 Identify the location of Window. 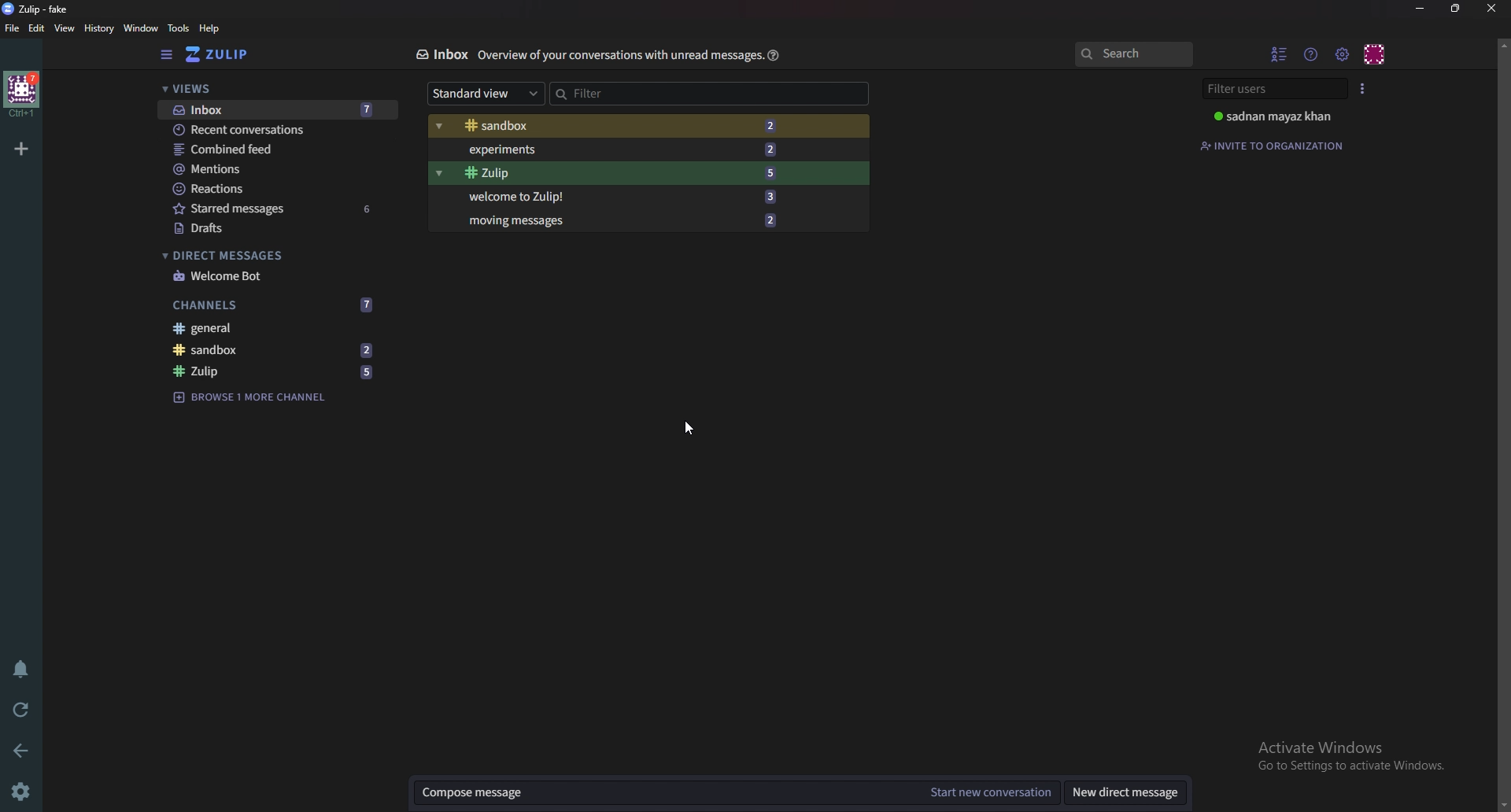
(143, 28).